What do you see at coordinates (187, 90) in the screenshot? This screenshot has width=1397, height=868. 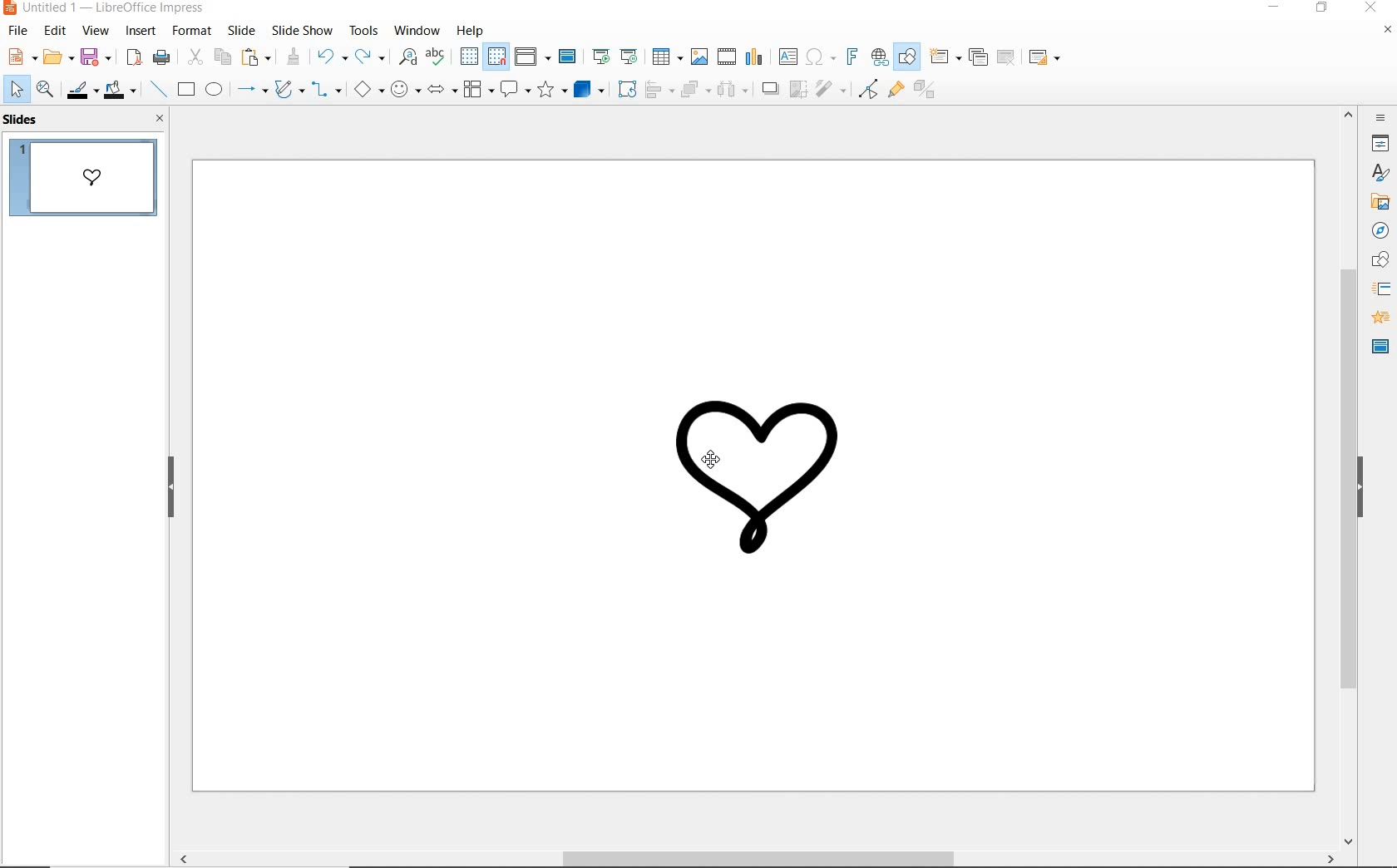 I see `rectangle` at bounding box center [187, 90].